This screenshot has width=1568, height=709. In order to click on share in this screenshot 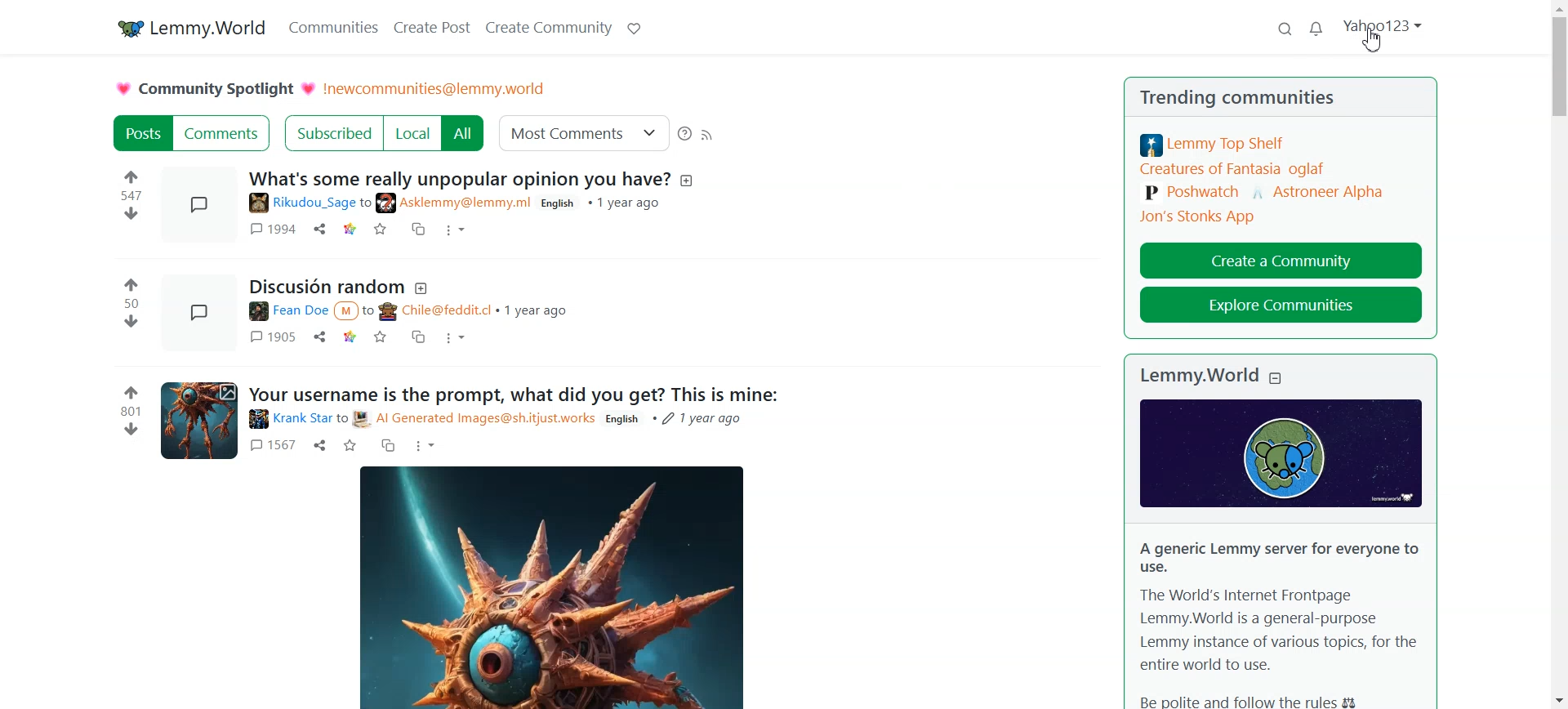, I will do `click(321, 338)`.